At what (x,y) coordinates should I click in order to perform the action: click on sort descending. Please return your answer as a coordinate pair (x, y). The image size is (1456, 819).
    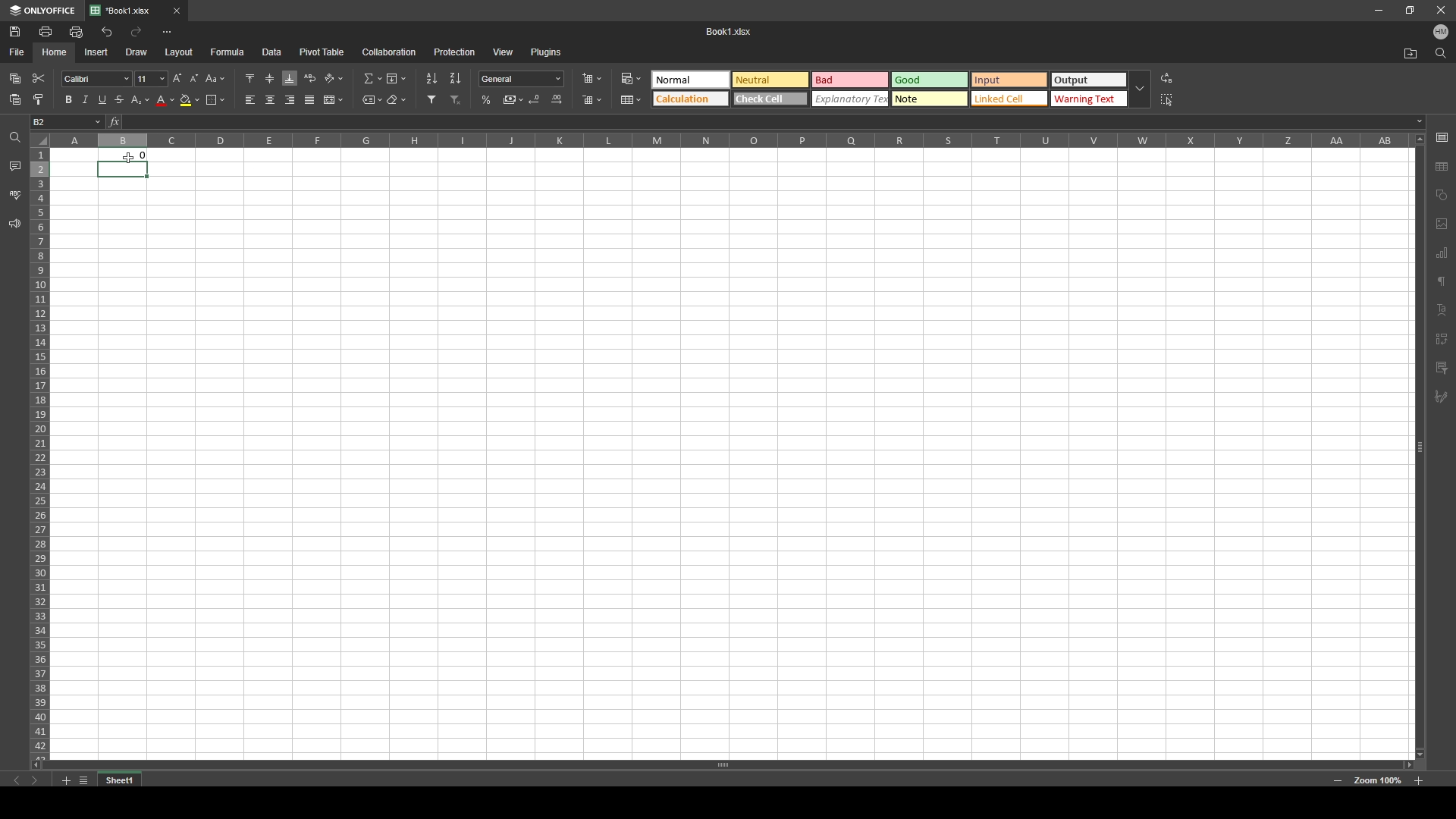
    Looking at the image, I should click on (455, 78).